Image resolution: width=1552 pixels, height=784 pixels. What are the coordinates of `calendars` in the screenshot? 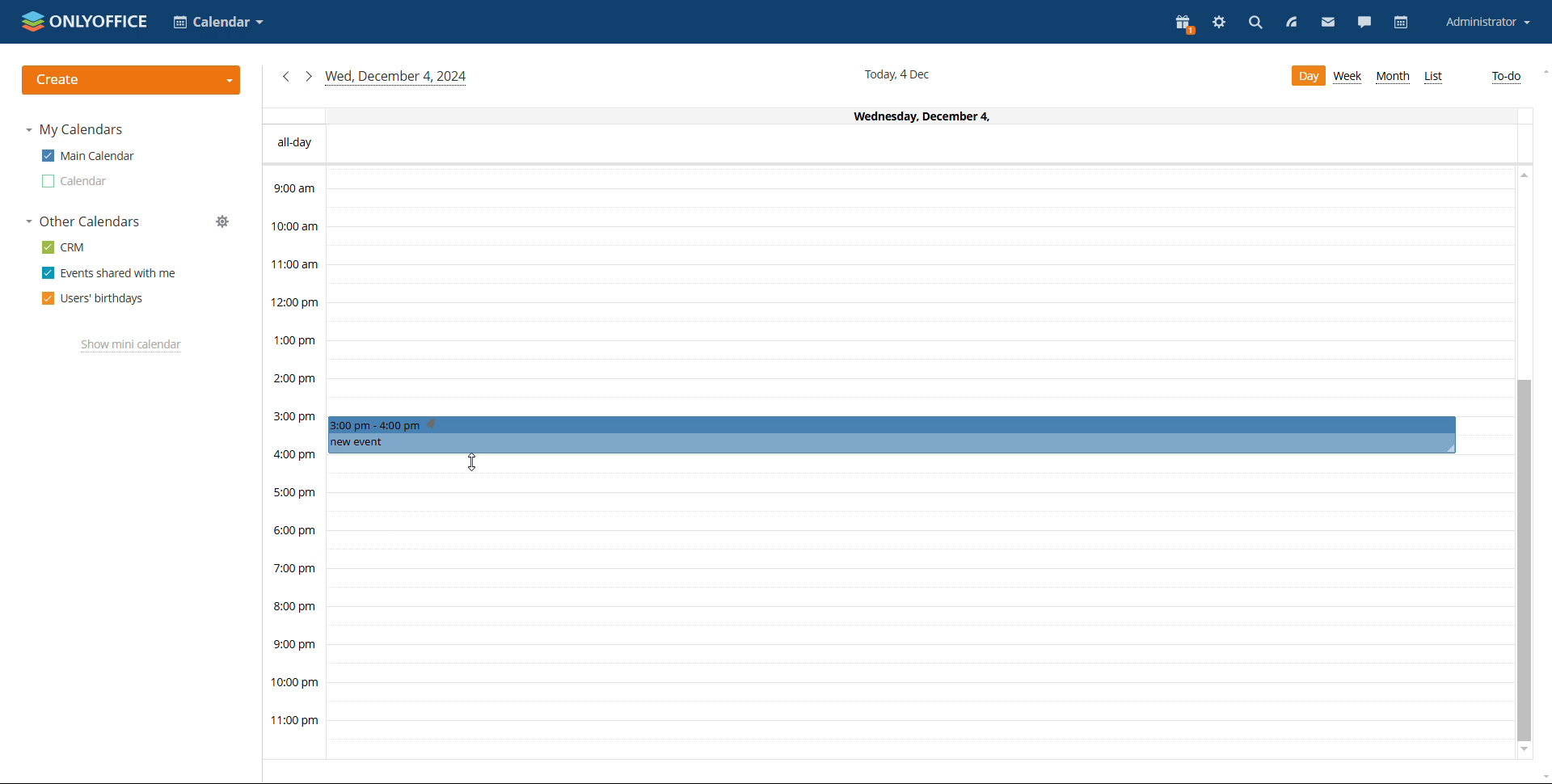 It's located at (84, 221).